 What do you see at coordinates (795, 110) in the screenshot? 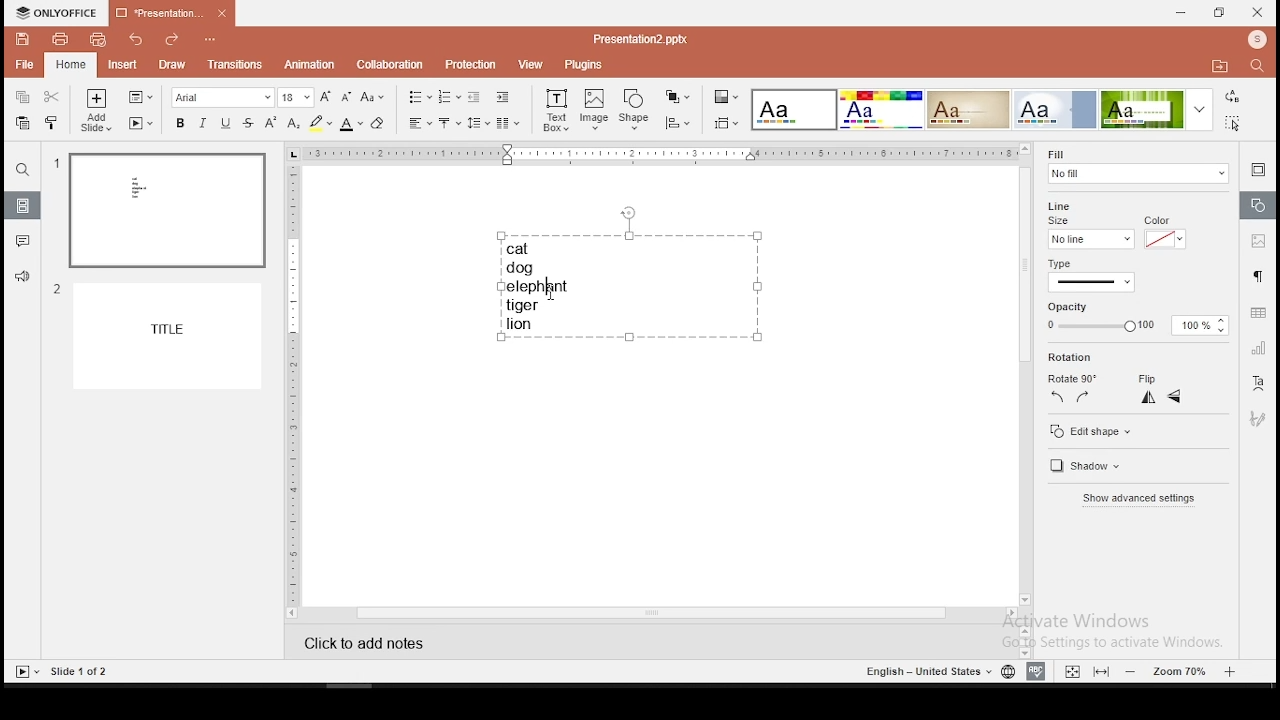
I see `theme ` at bounding box center [795, 110].